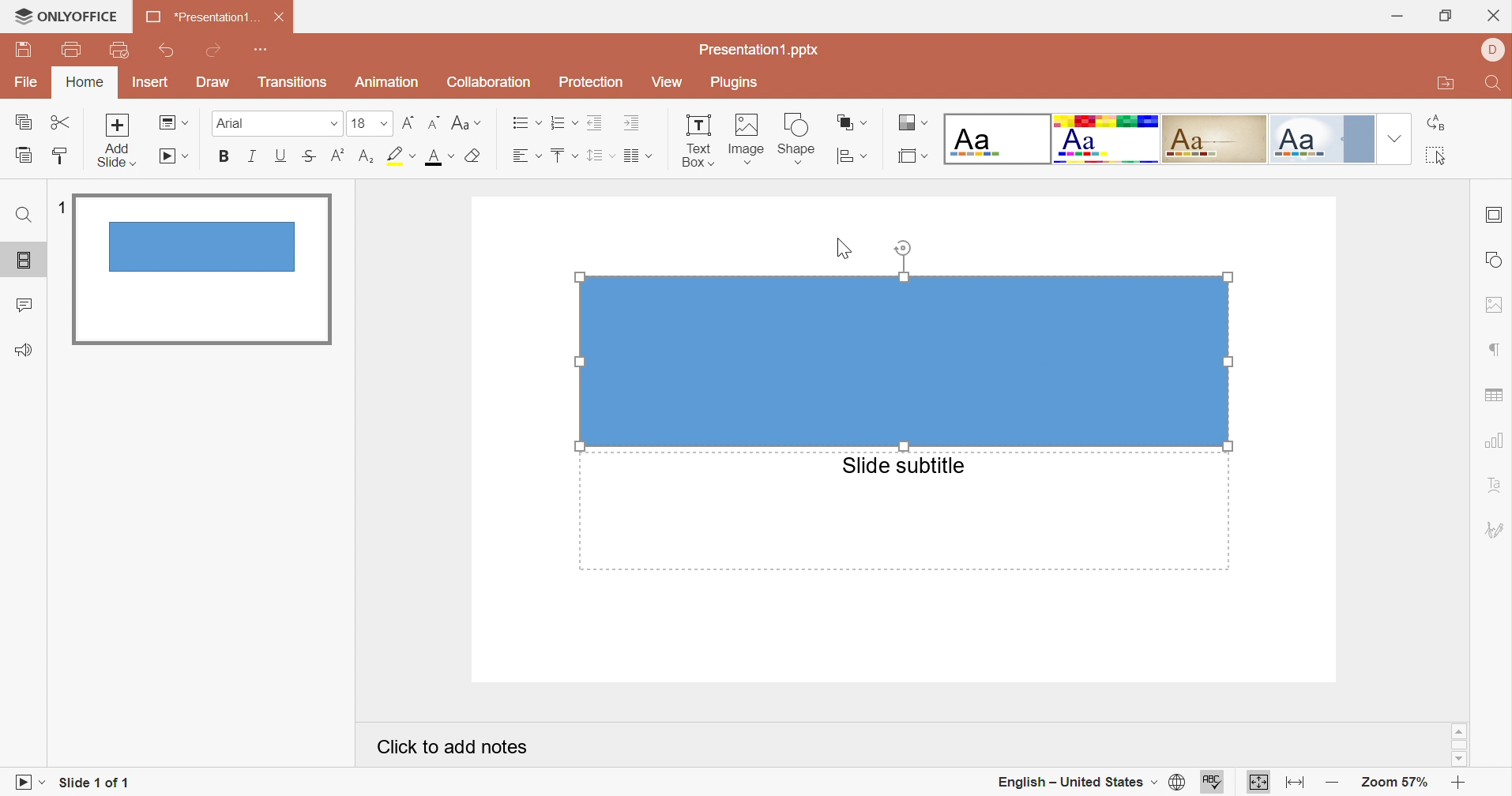  I want to click on Animation, so click(389, 82).